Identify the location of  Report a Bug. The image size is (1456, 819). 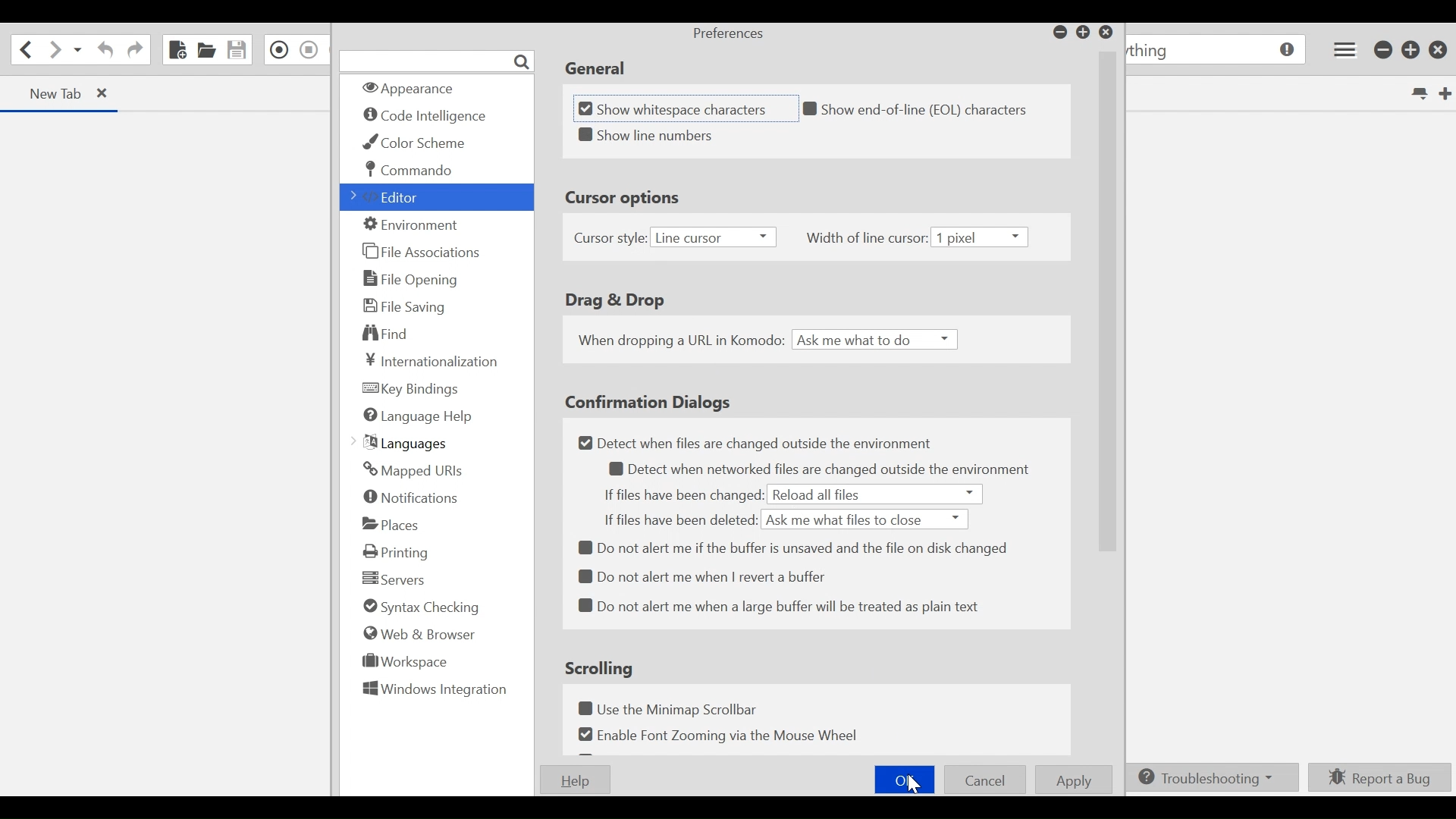
(1379, 778).